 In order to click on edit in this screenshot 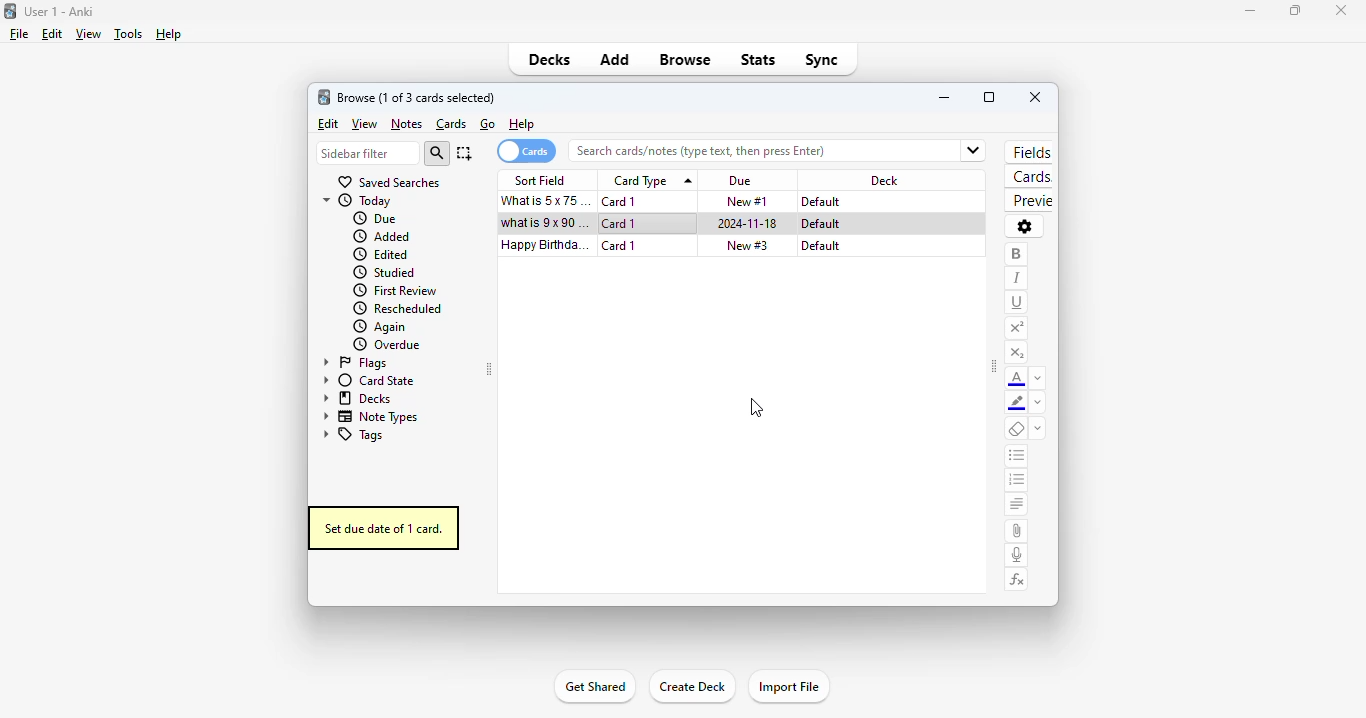, I will do `click(53, 34)`.